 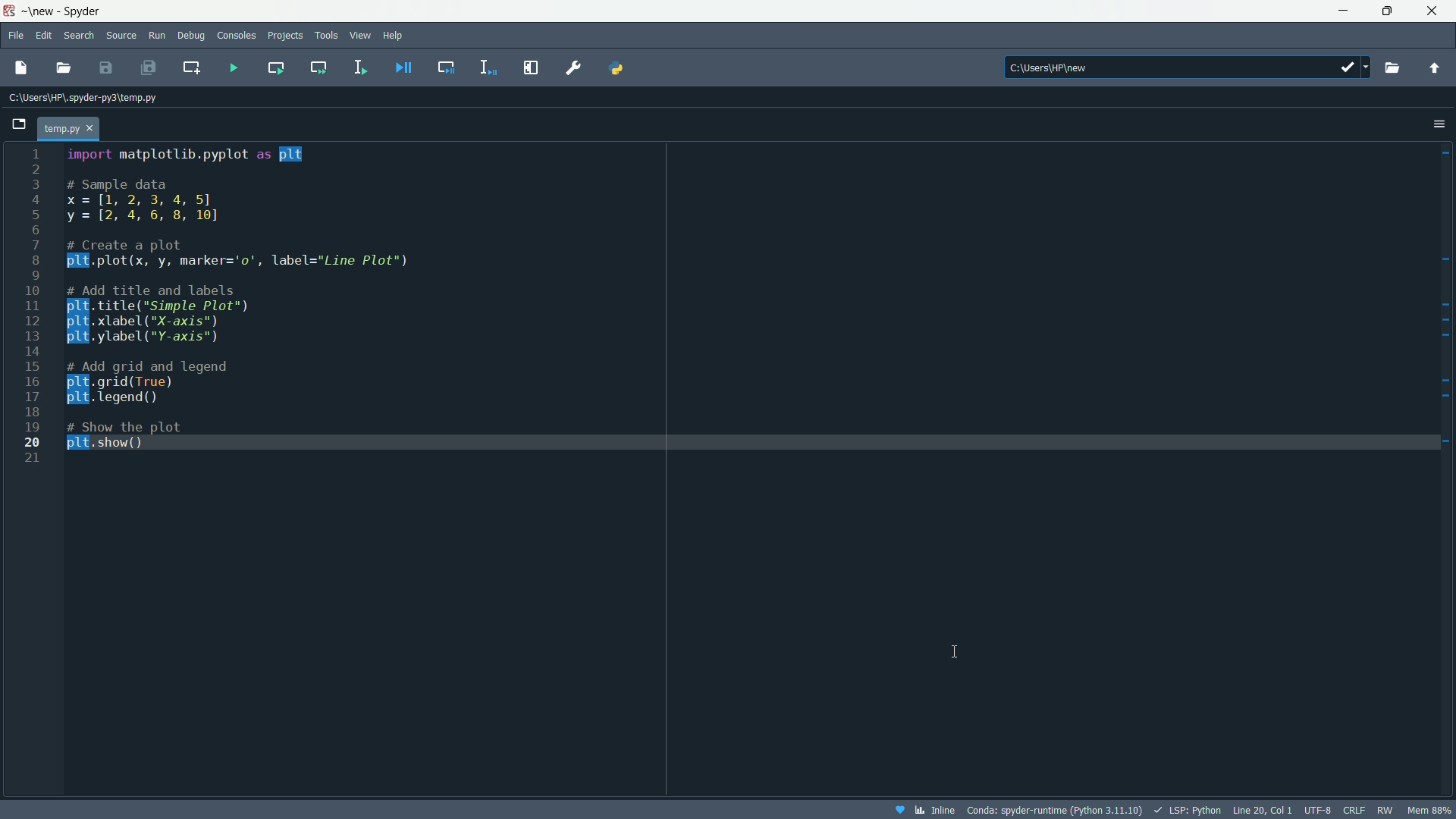 I want to click on code to create a line plot between x and y variables, so click(x=243, y=297).